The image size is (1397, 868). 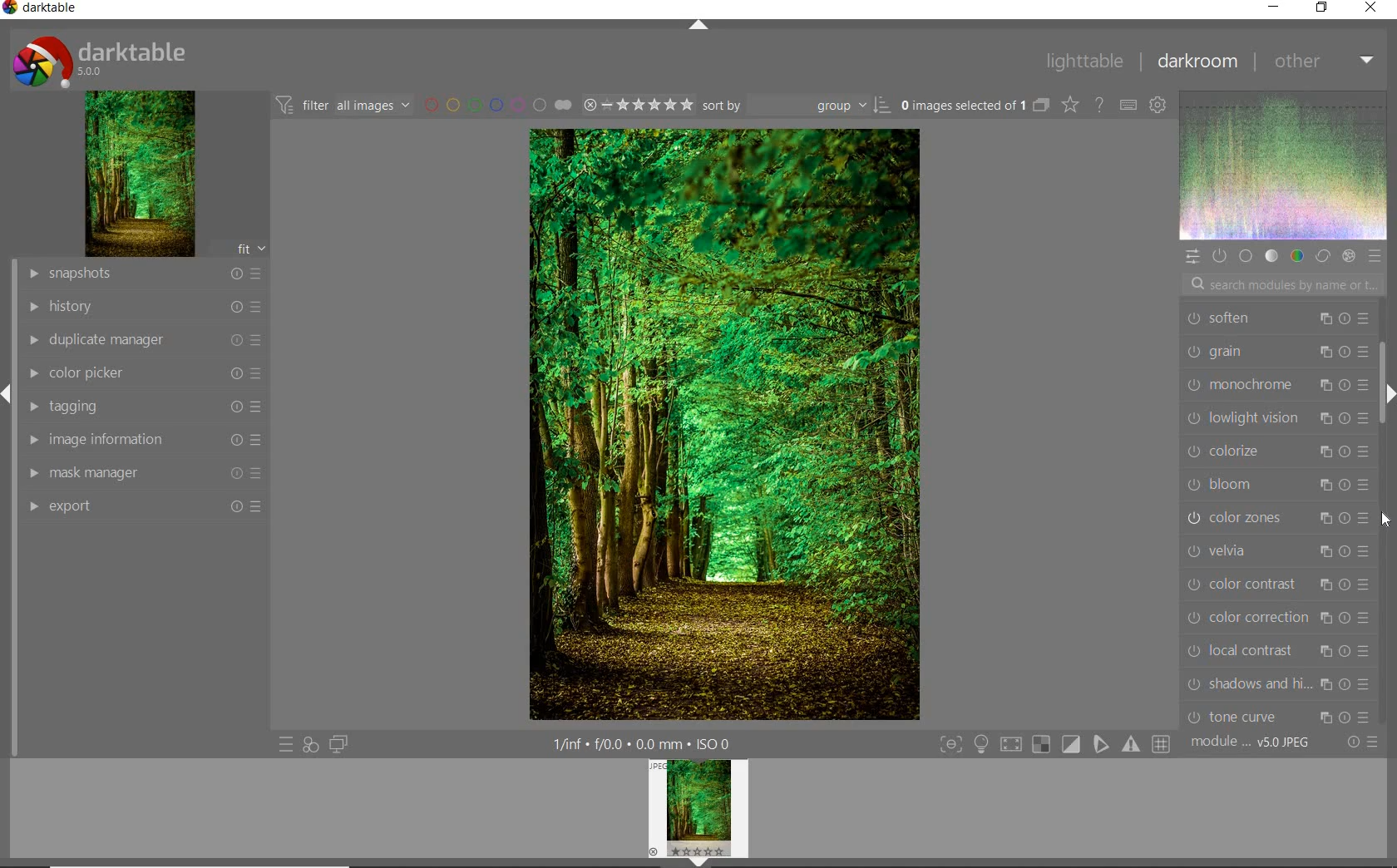 What do you see at coordinates (343, 105) in the screenshot?
I see `FILTER IMAGES` at bounding box center [343, 105].